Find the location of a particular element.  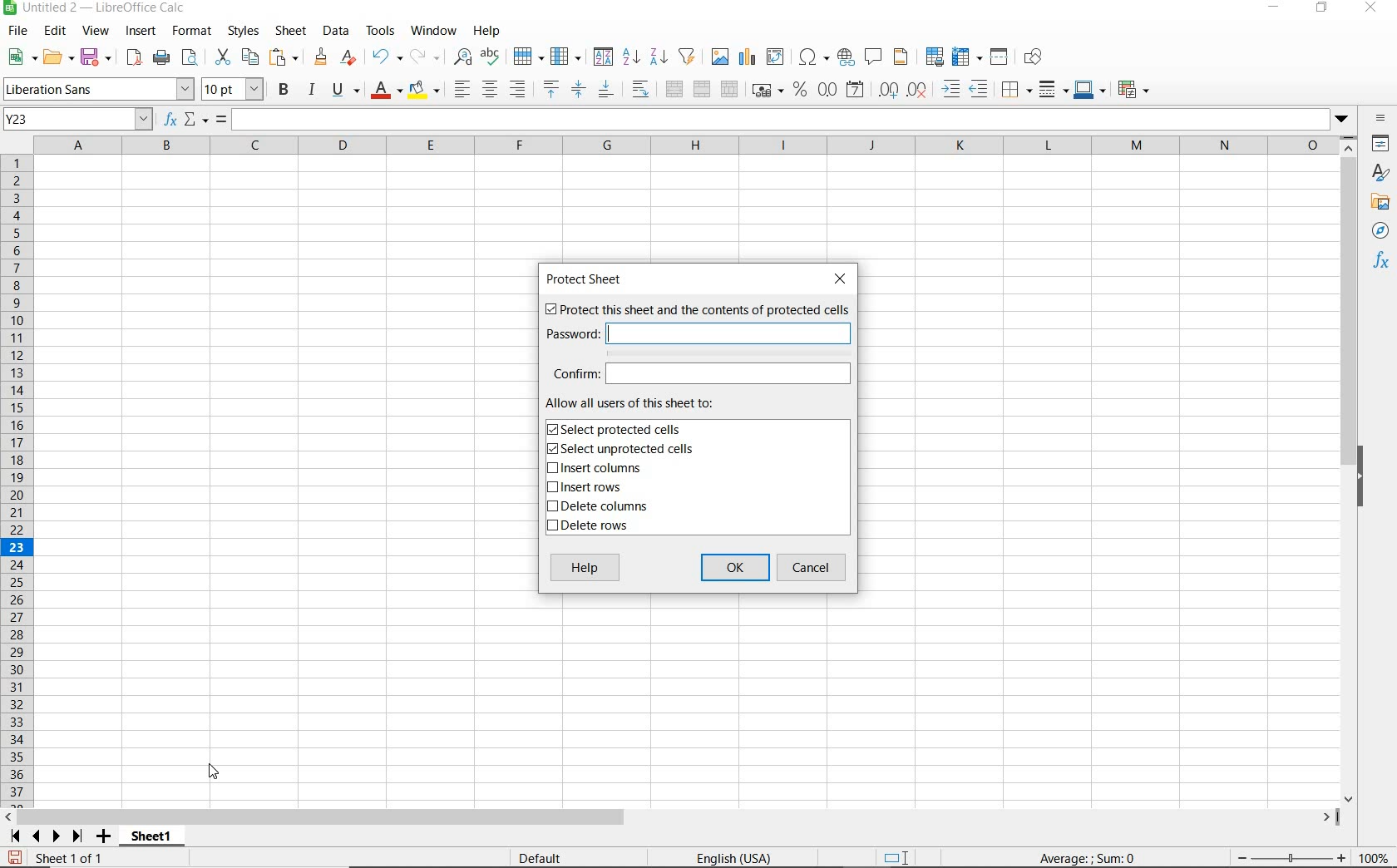

CONDITIONAL is located at coordinates (1133, 89).